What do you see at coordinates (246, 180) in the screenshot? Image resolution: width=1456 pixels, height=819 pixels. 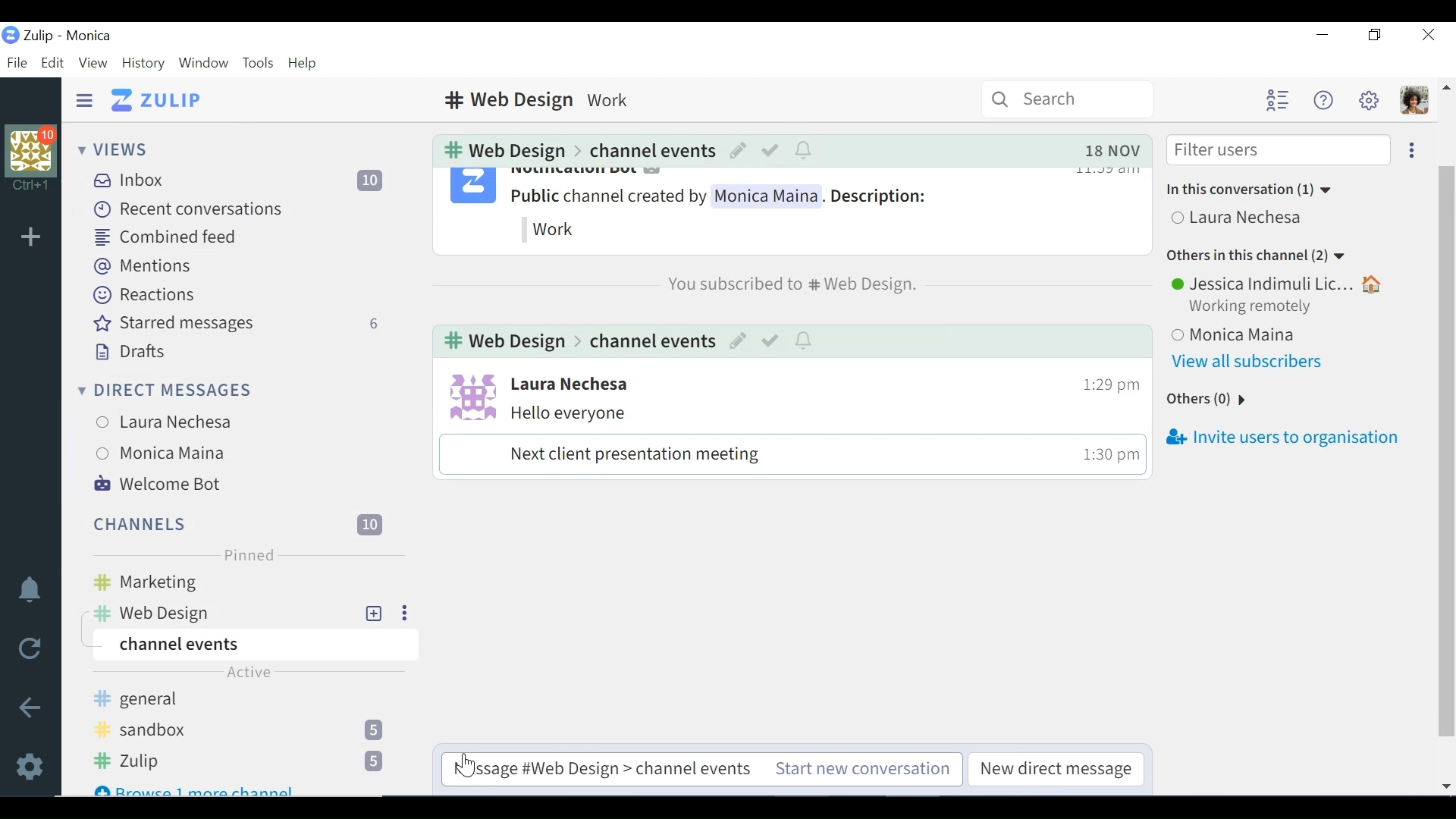 I see `Inbox` at bounding box center [246, 180].